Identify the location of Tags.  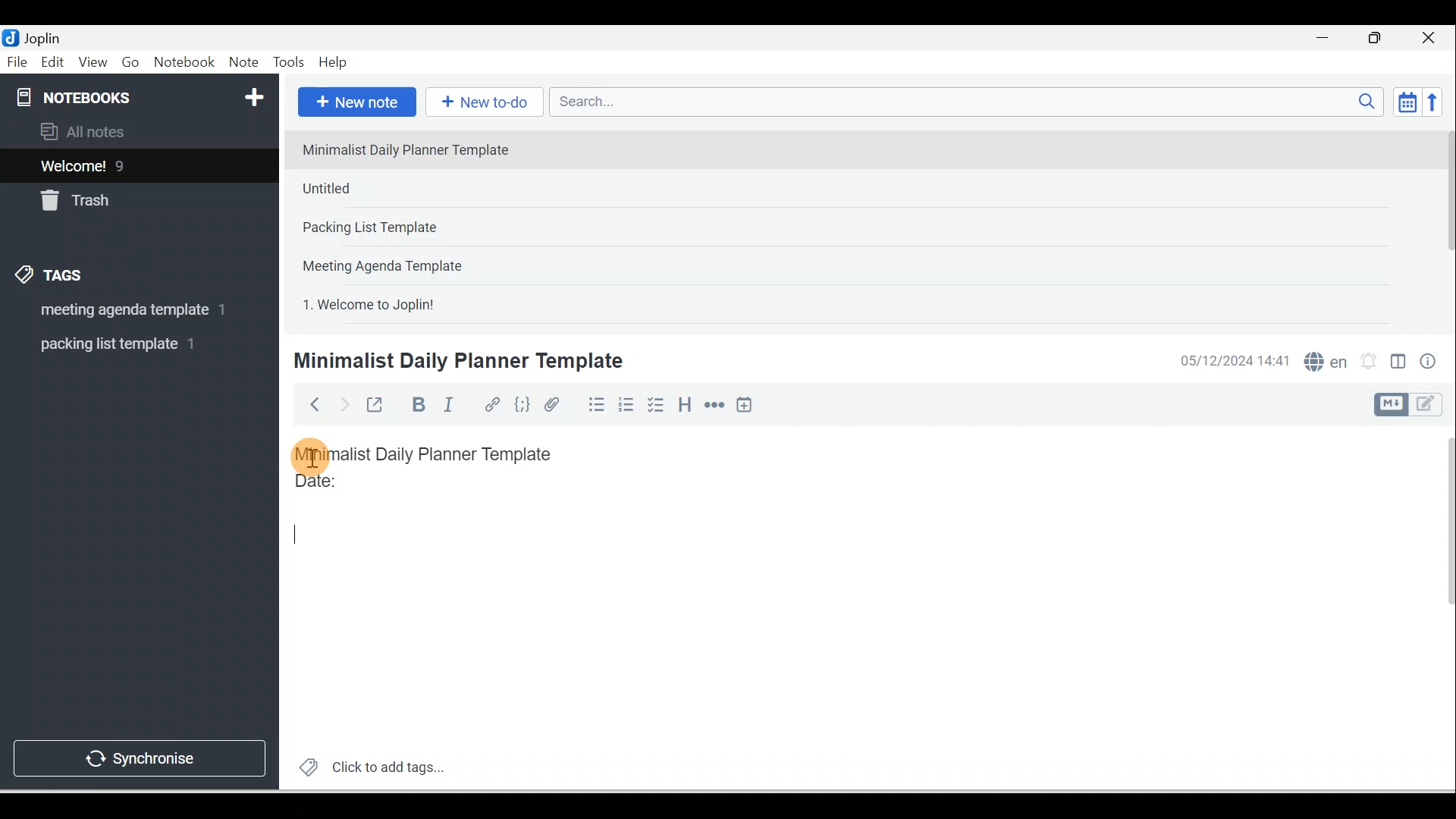
(54, 278).